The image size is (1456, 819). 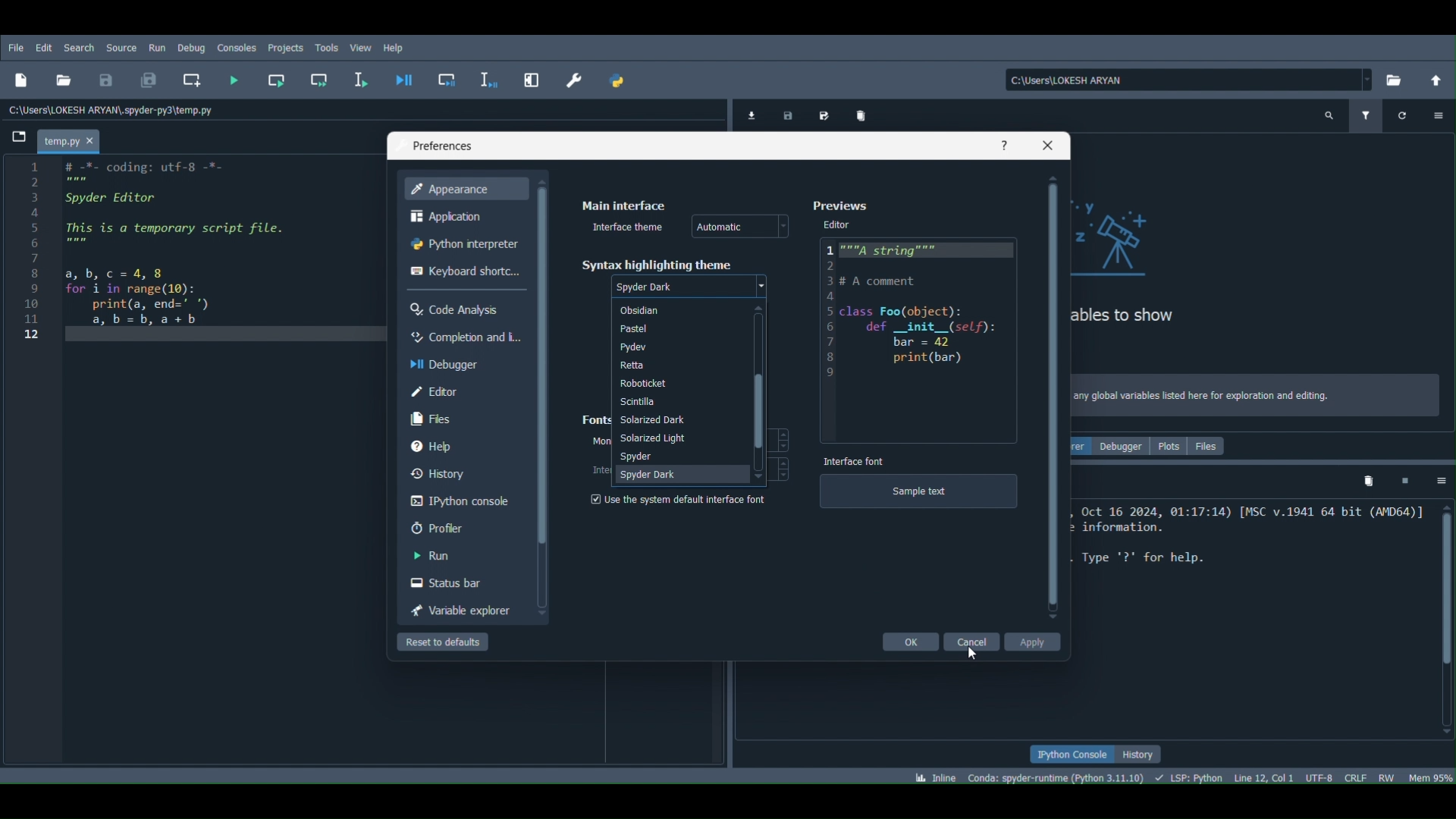 I want to click on Project name, so click(x=74, y=138).